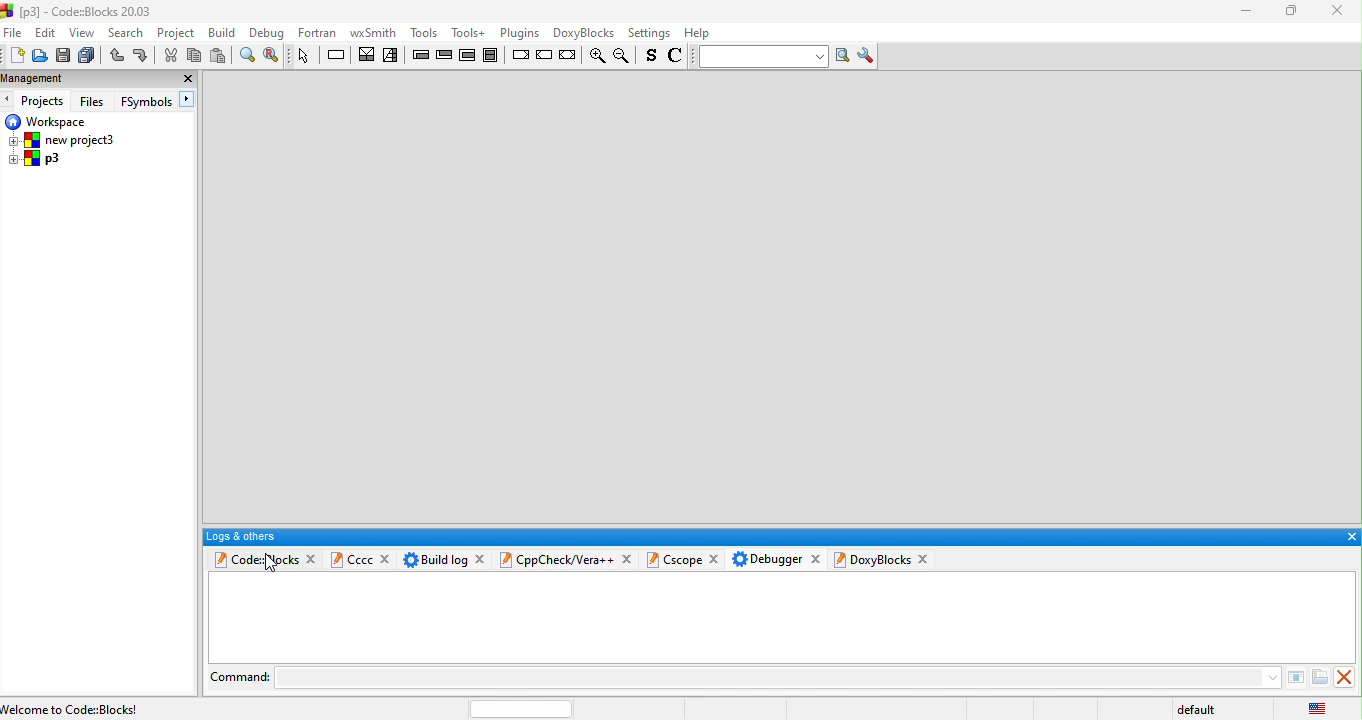  Describe the element at coordinates (581, 32) in the screenshot. I see `doxyblocks` at that location.